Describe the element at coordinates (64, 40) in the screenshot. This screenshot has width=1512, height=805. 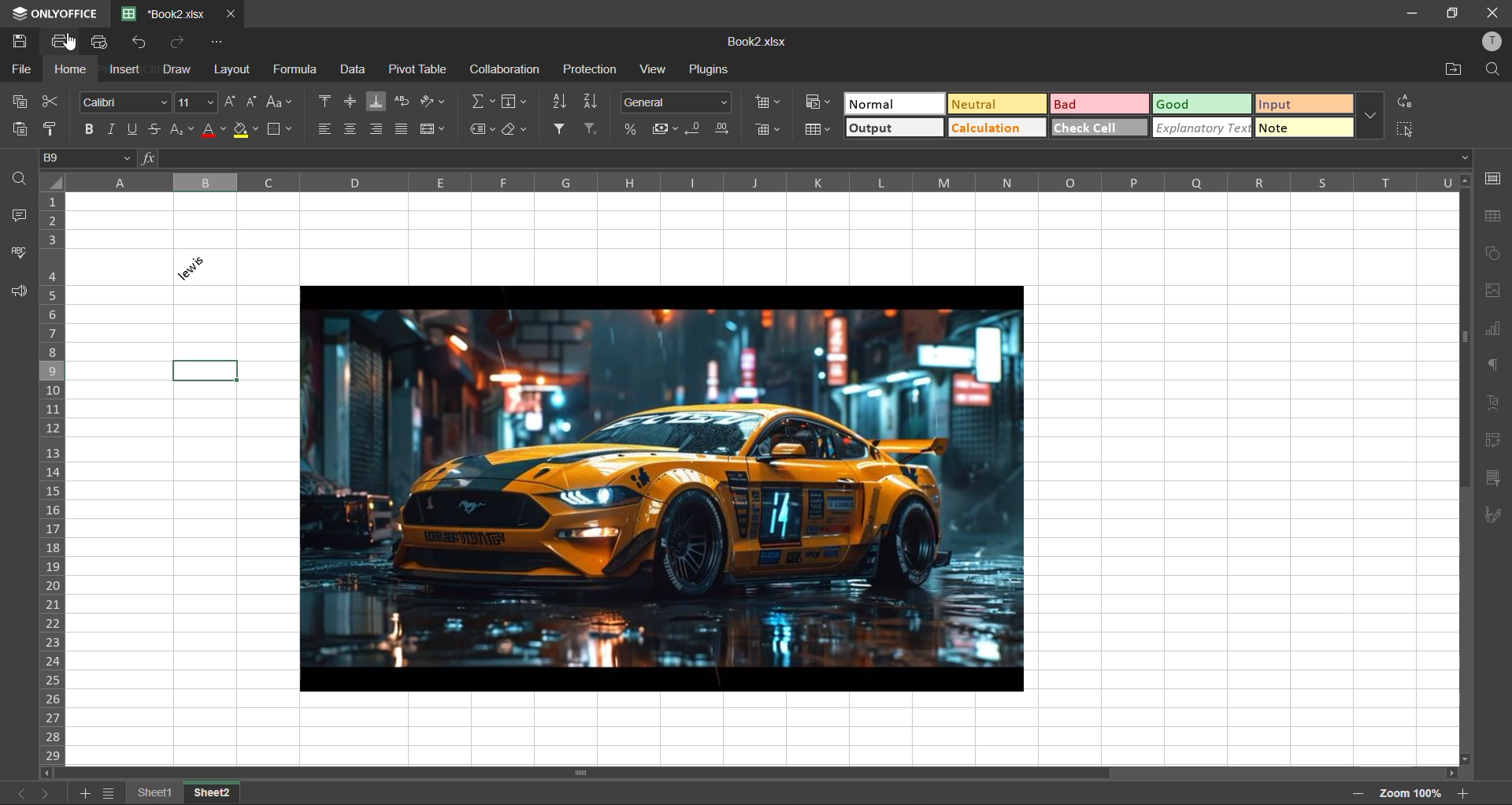
I see `print` at that location.